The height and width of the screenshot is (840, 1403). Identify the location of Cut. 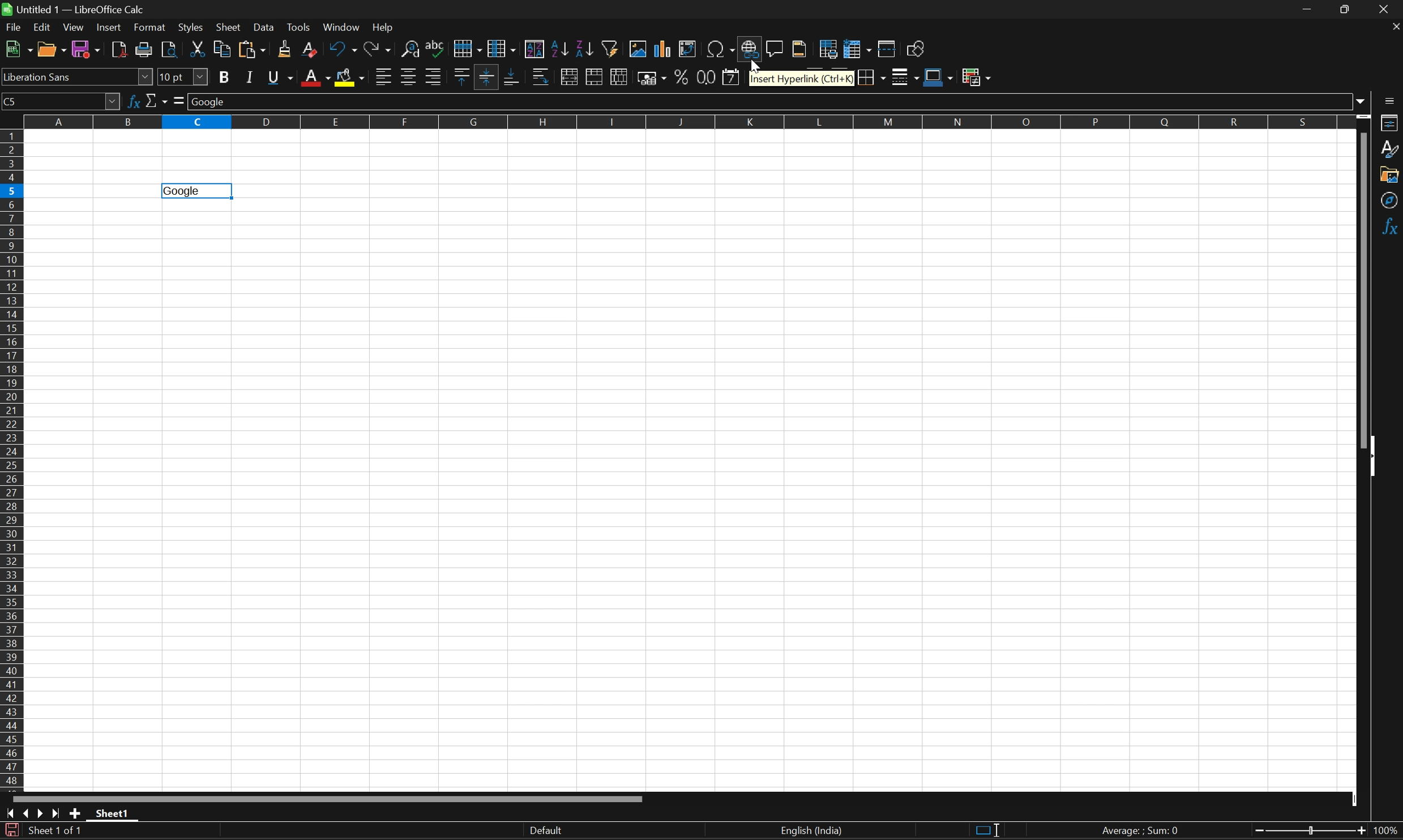
(199, 48).